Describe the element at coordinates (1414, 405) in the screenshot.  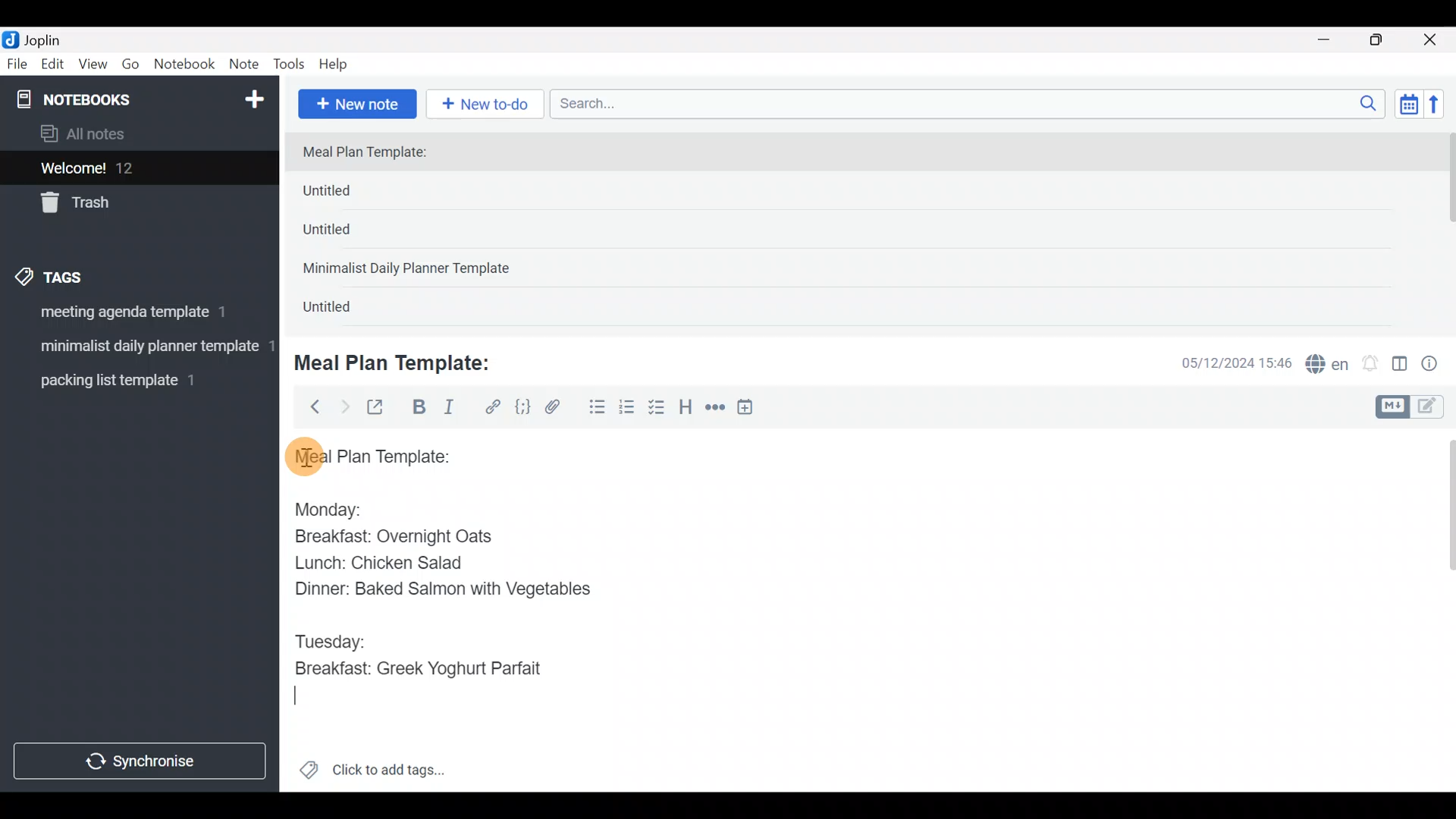
I see `Toggle editors` at that location.